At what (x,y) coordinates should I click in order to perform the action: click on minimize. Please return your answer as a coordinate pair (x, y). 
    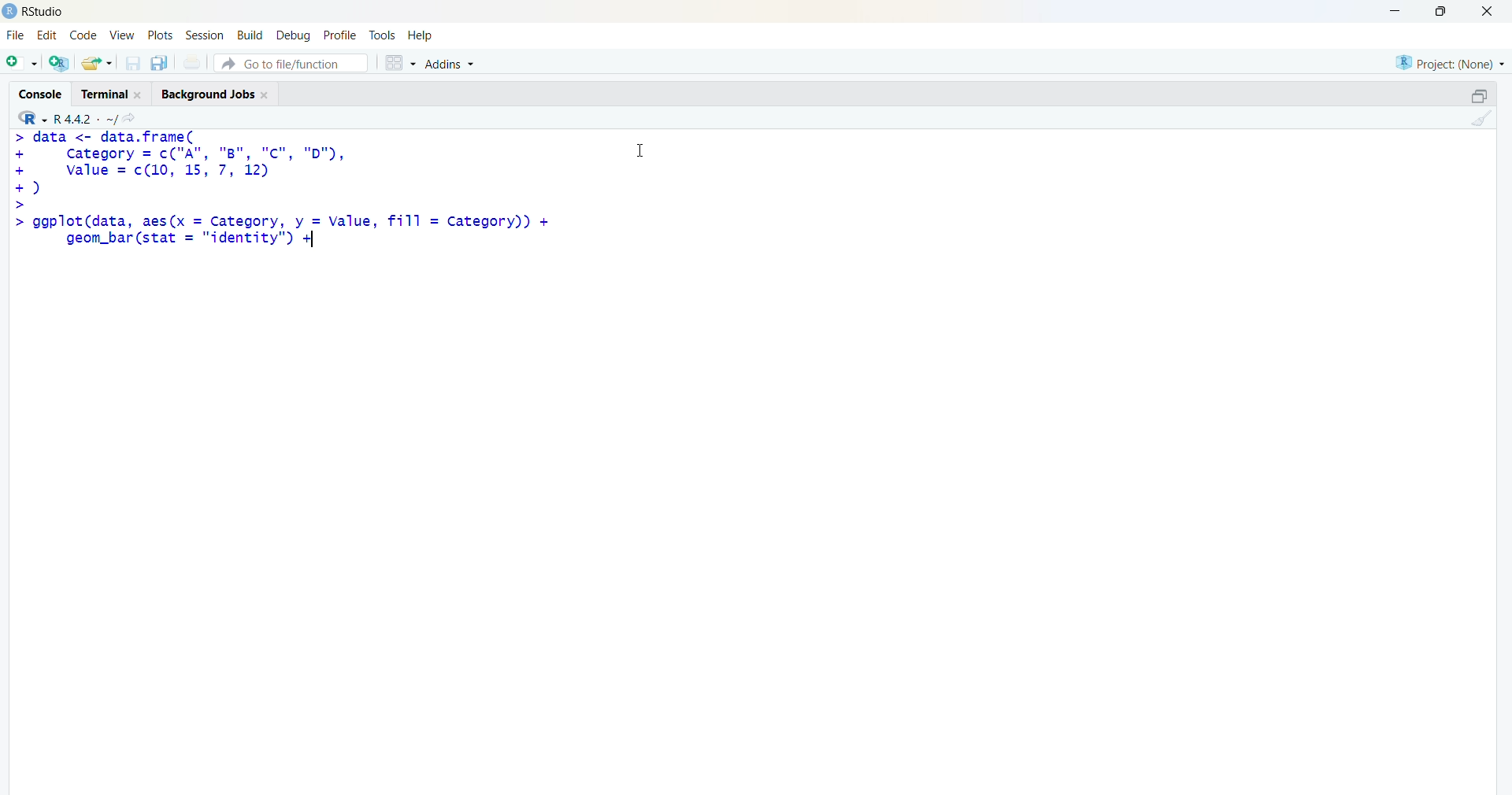
    Looking at the image, I should click on (1400, 11).